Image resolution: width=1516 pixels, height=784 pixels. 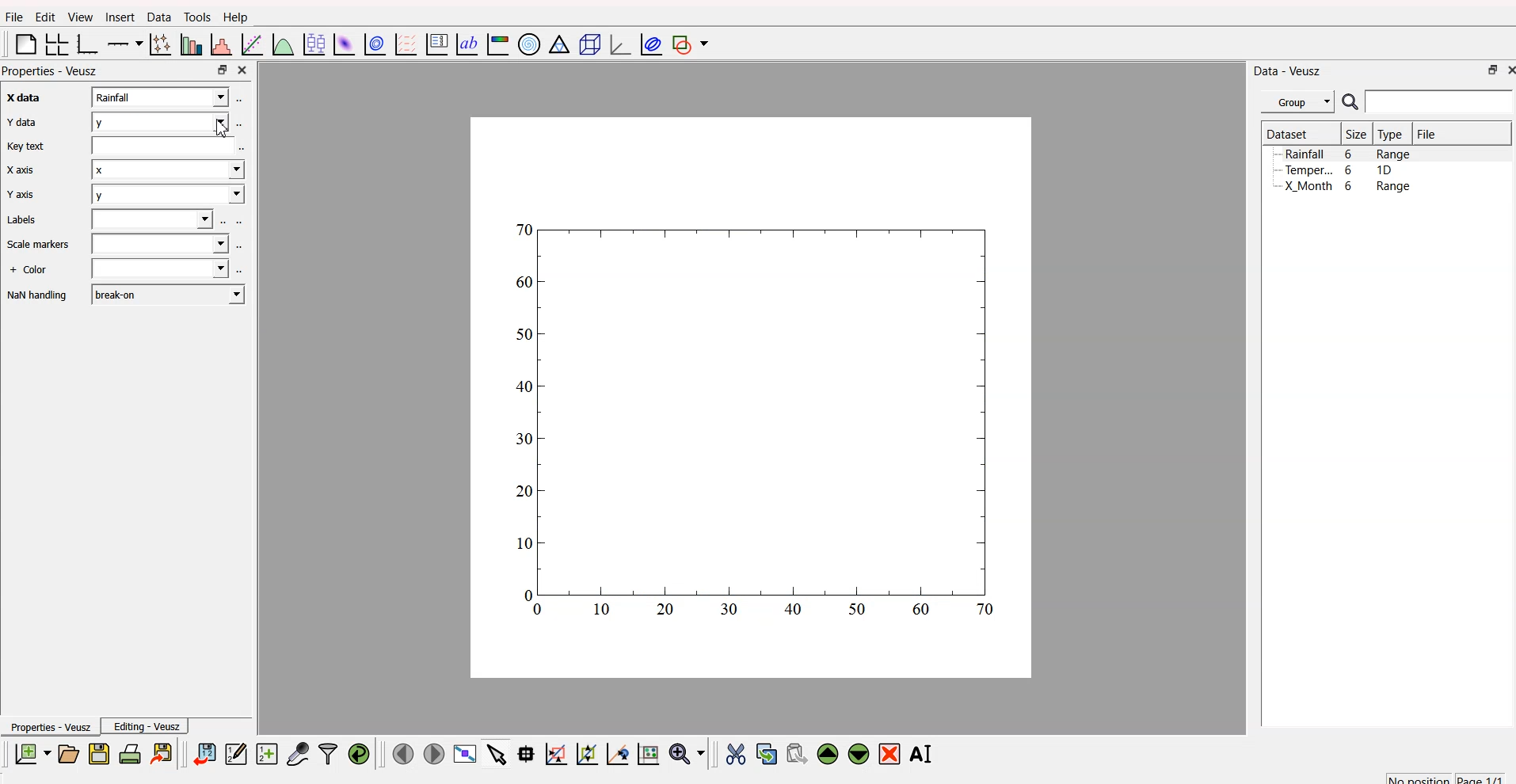 What do you see at coordinates (556, 45) in the screenshot?
I see `Ternary graph` at bounding box center [556, 45].